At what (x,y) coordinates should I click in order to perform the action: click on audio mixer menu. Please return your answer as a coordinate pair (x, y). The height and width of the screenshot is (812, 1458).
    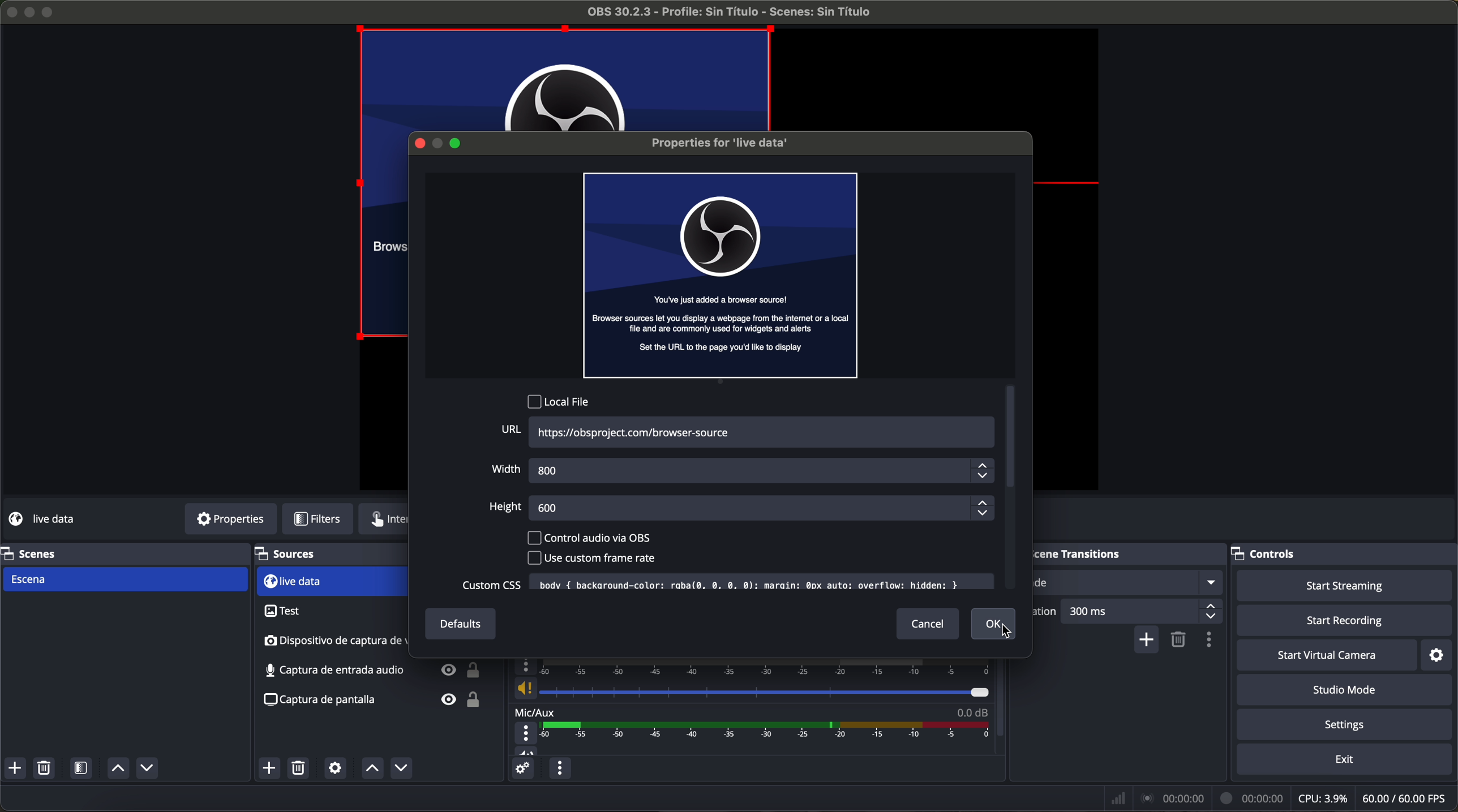
    Looking at the image, I should click on (560, 767).